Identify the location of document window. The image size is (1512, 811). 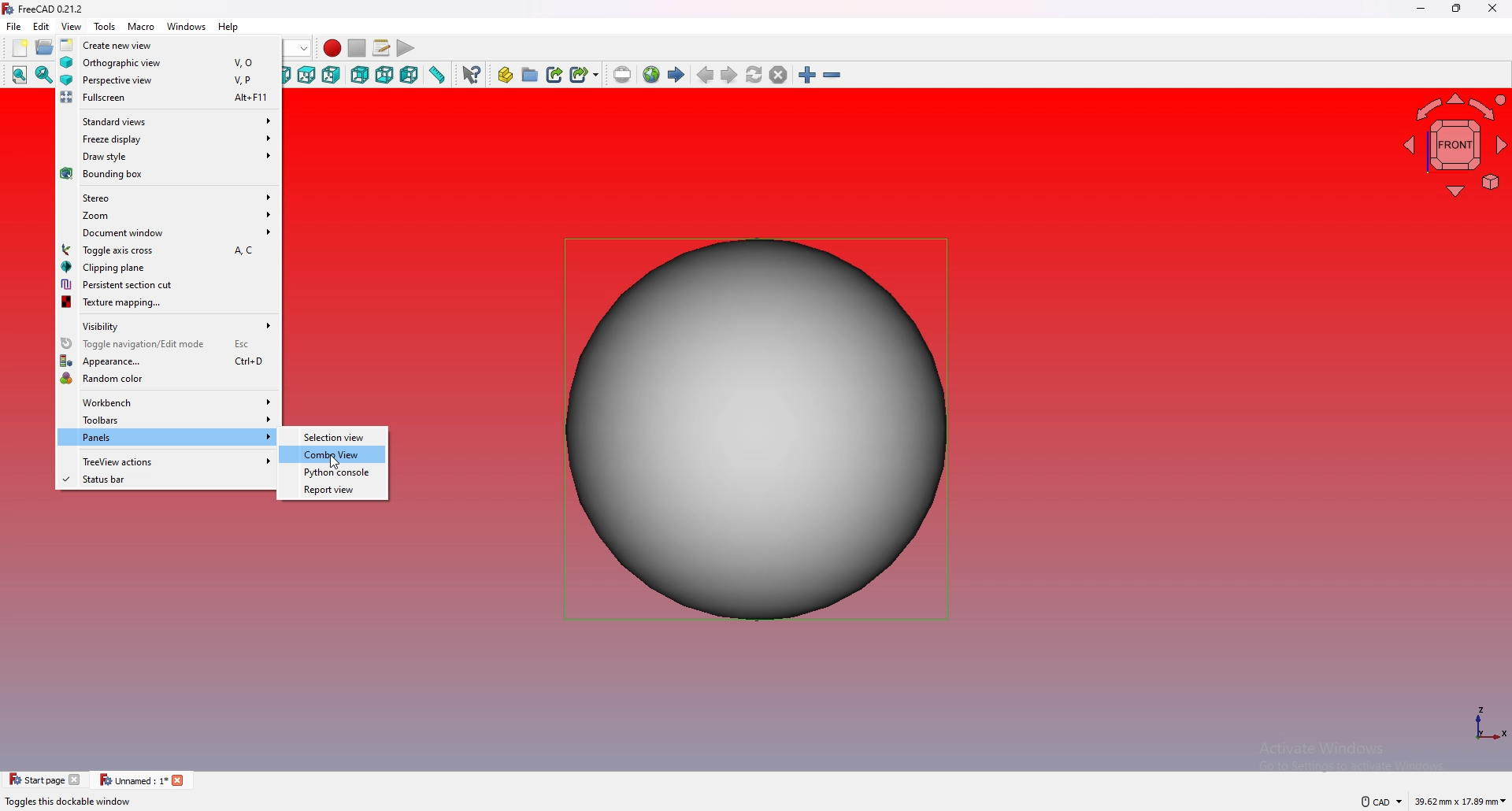
(169, 232).